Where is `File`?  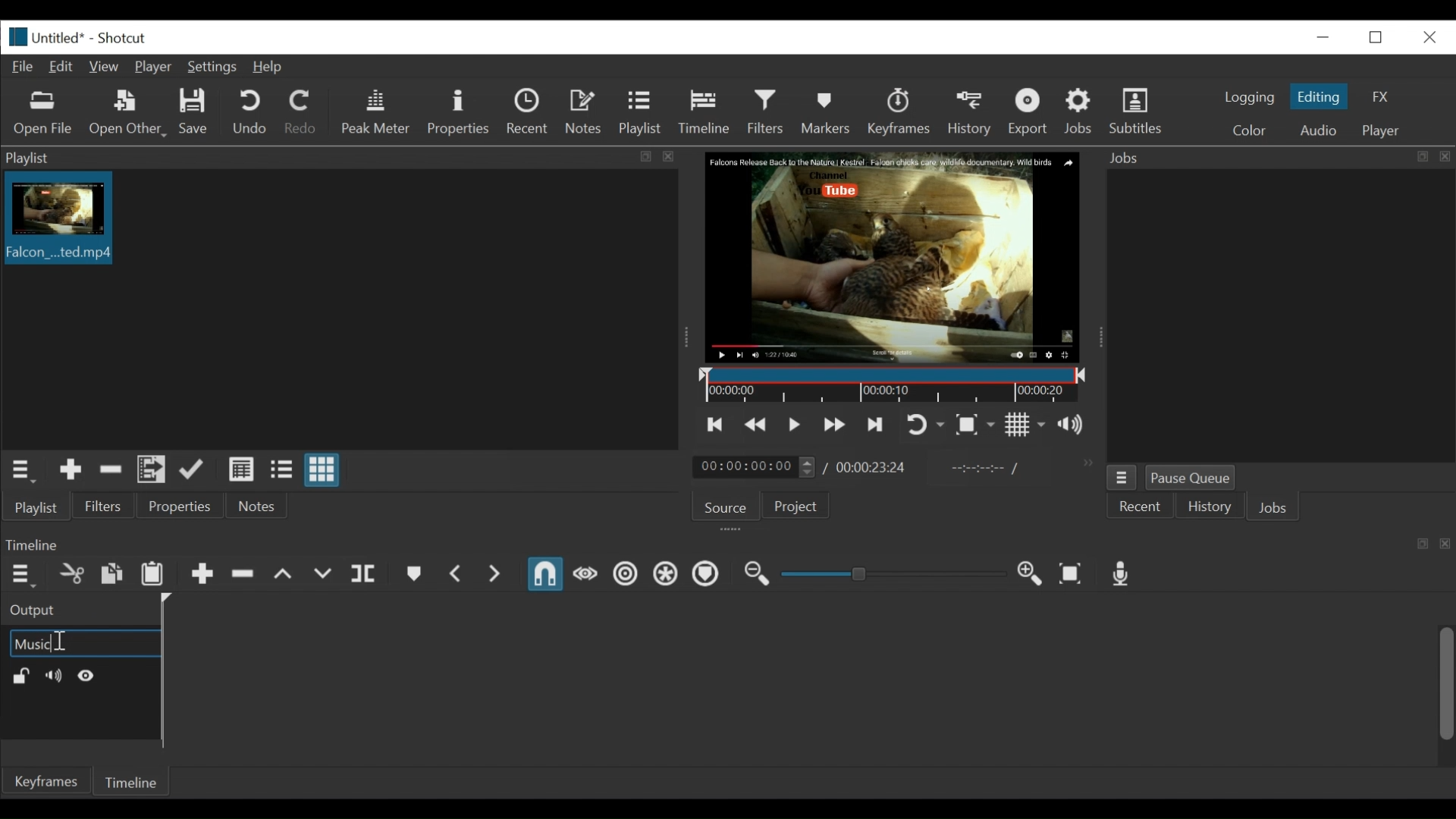
File is located at coordinates (22, 67).